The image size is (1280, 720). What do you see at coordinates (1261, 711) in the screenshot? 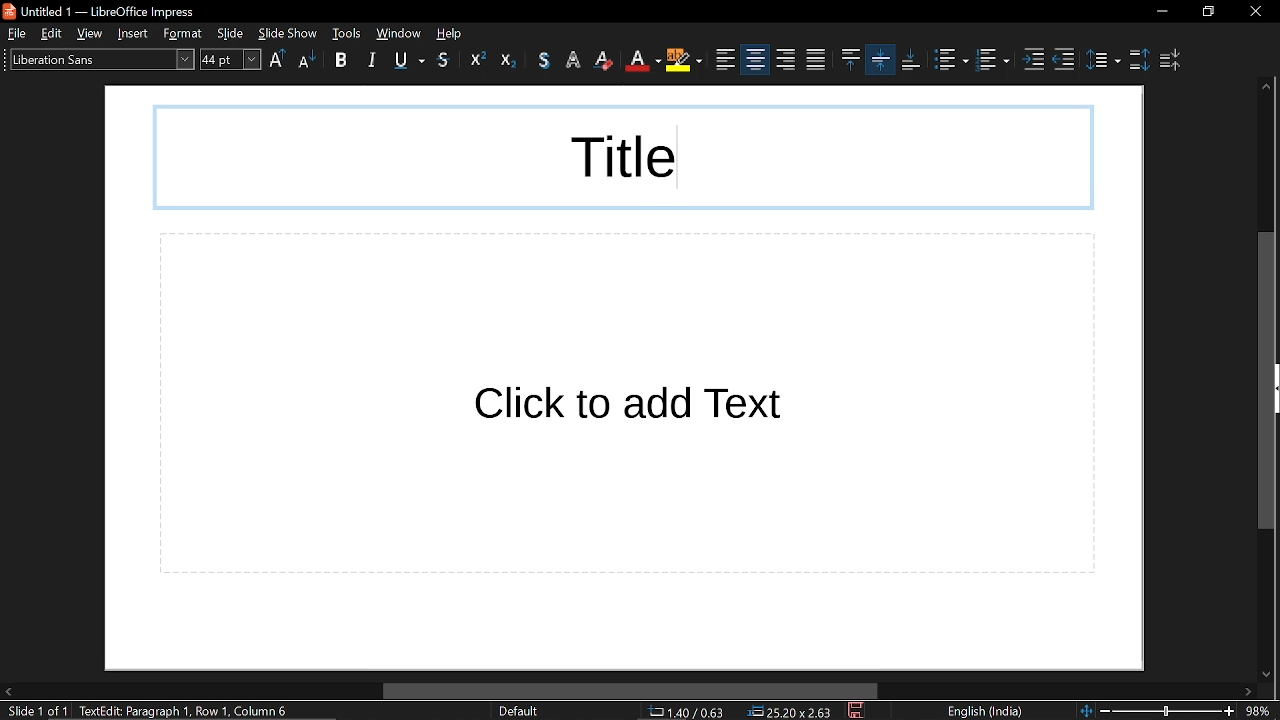
I see `current zoom` at bounding box center [1261, 711].